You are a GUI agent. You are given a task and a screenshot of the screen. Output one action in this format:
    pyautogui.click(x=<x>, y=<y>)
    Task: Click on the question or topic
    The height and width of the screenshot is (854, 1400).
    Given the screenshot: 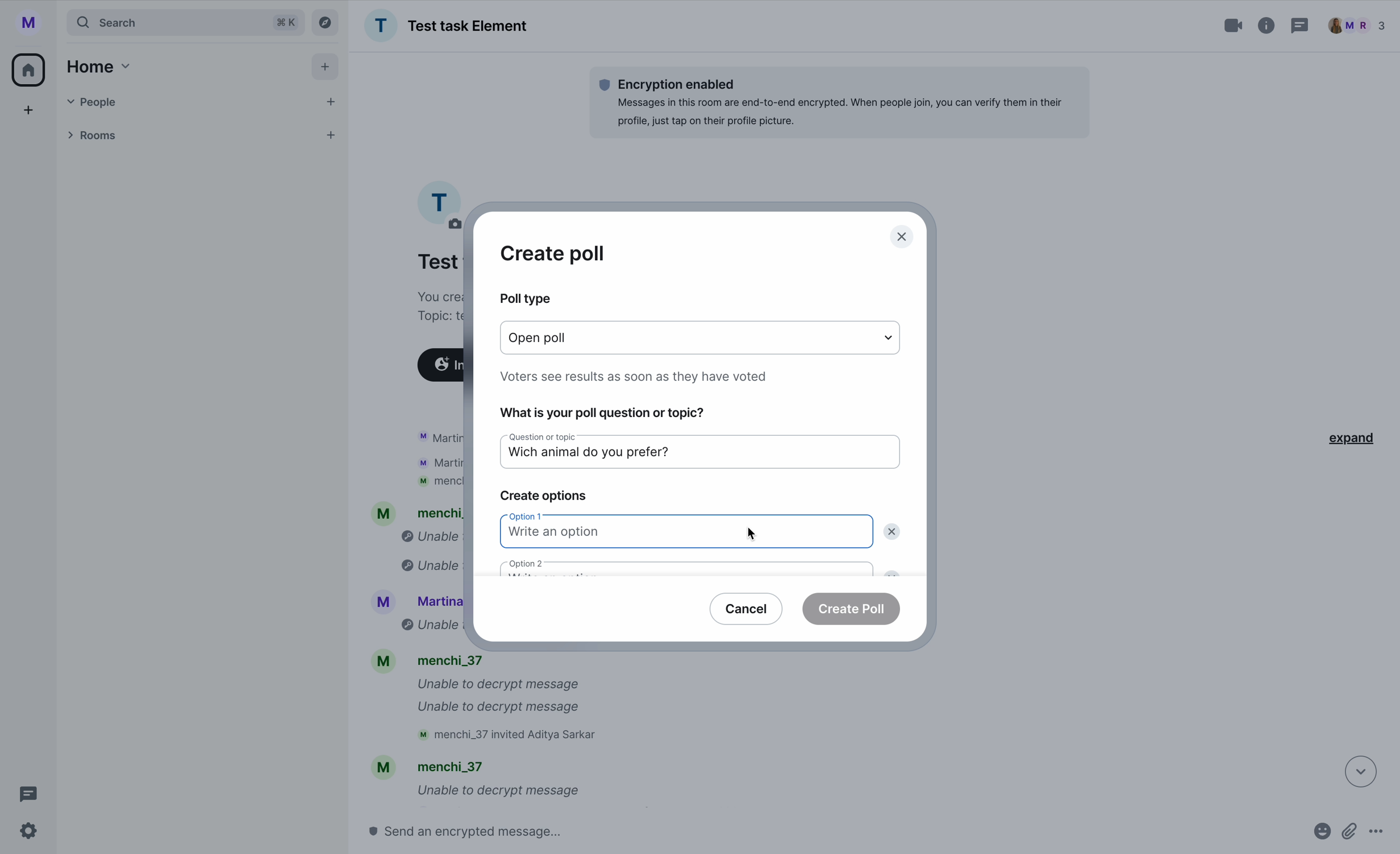 What is the action you would take?
    pyautogui.click(x=541, y=437)
    